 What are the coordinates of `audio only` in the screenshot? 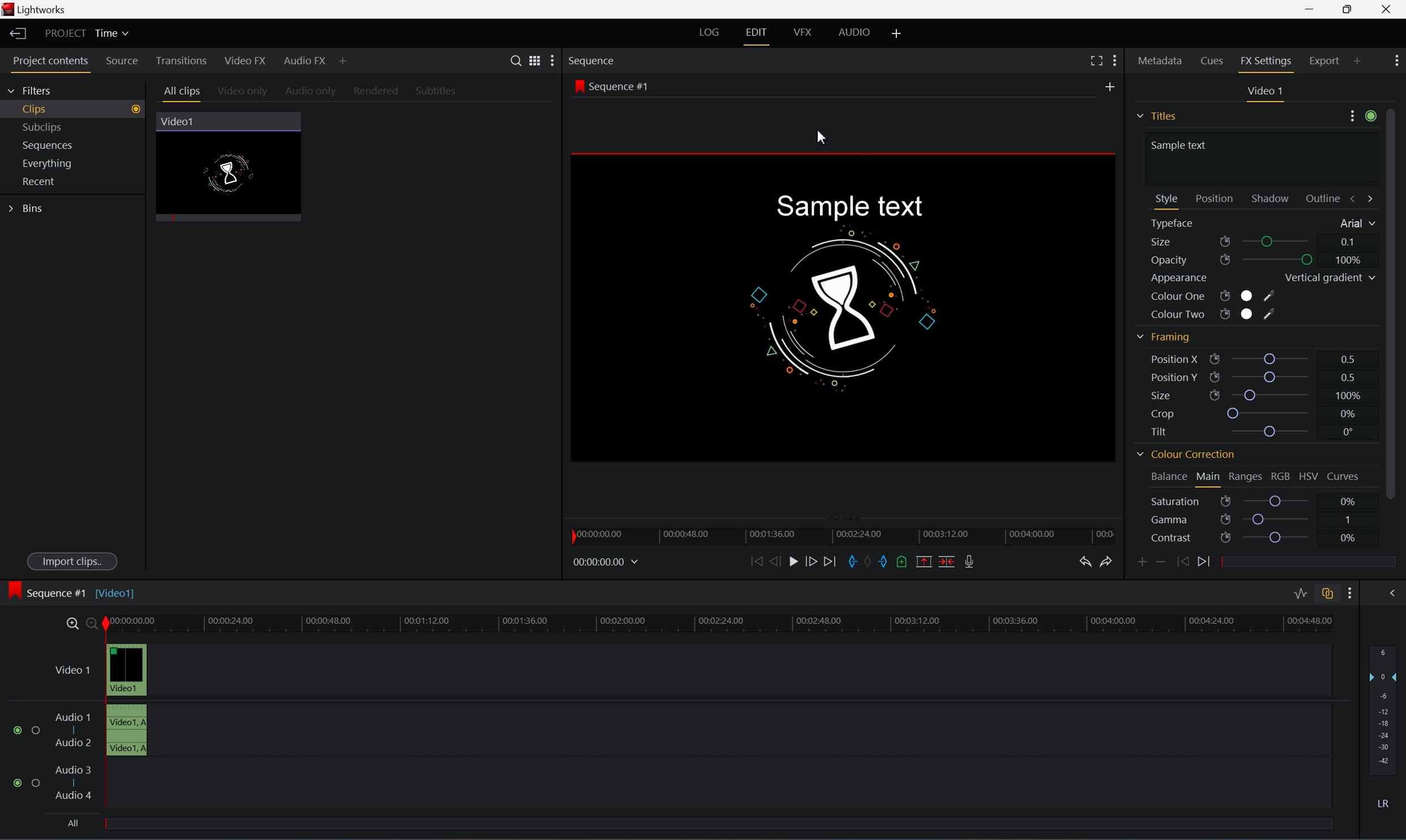 It's located at (312, 92).